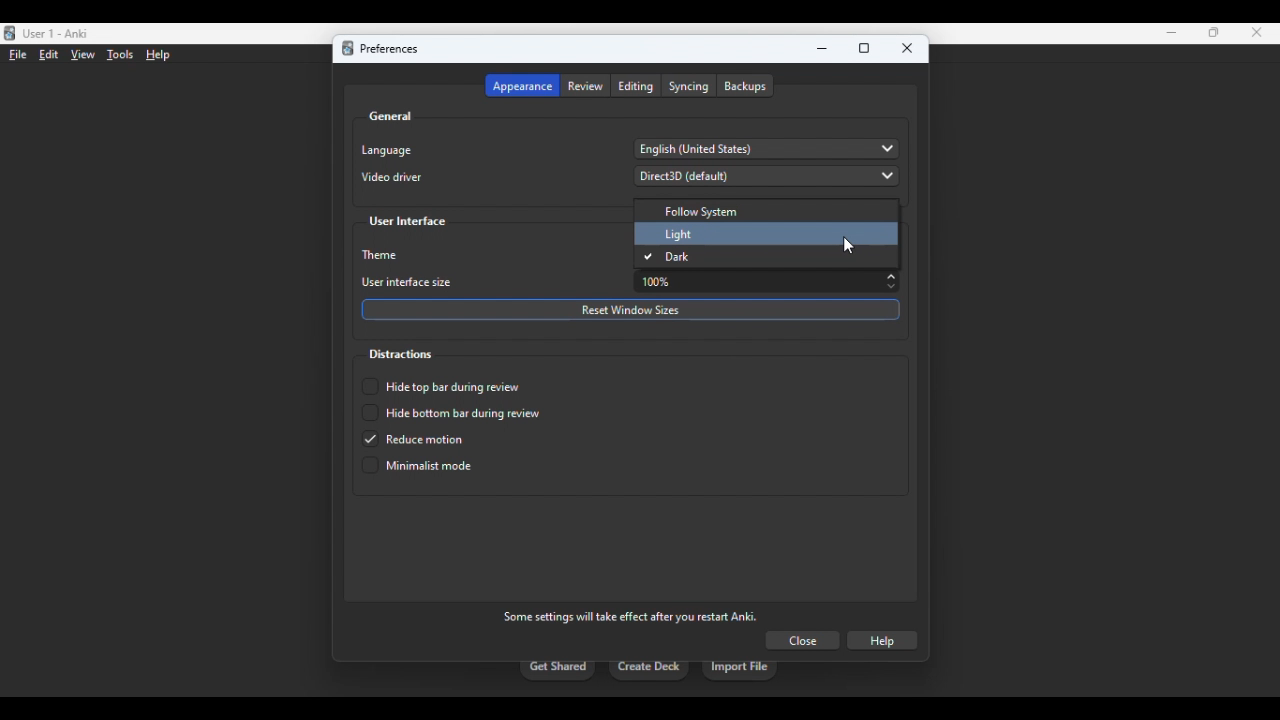  I want to click on reduce motion, so click(413, 439).